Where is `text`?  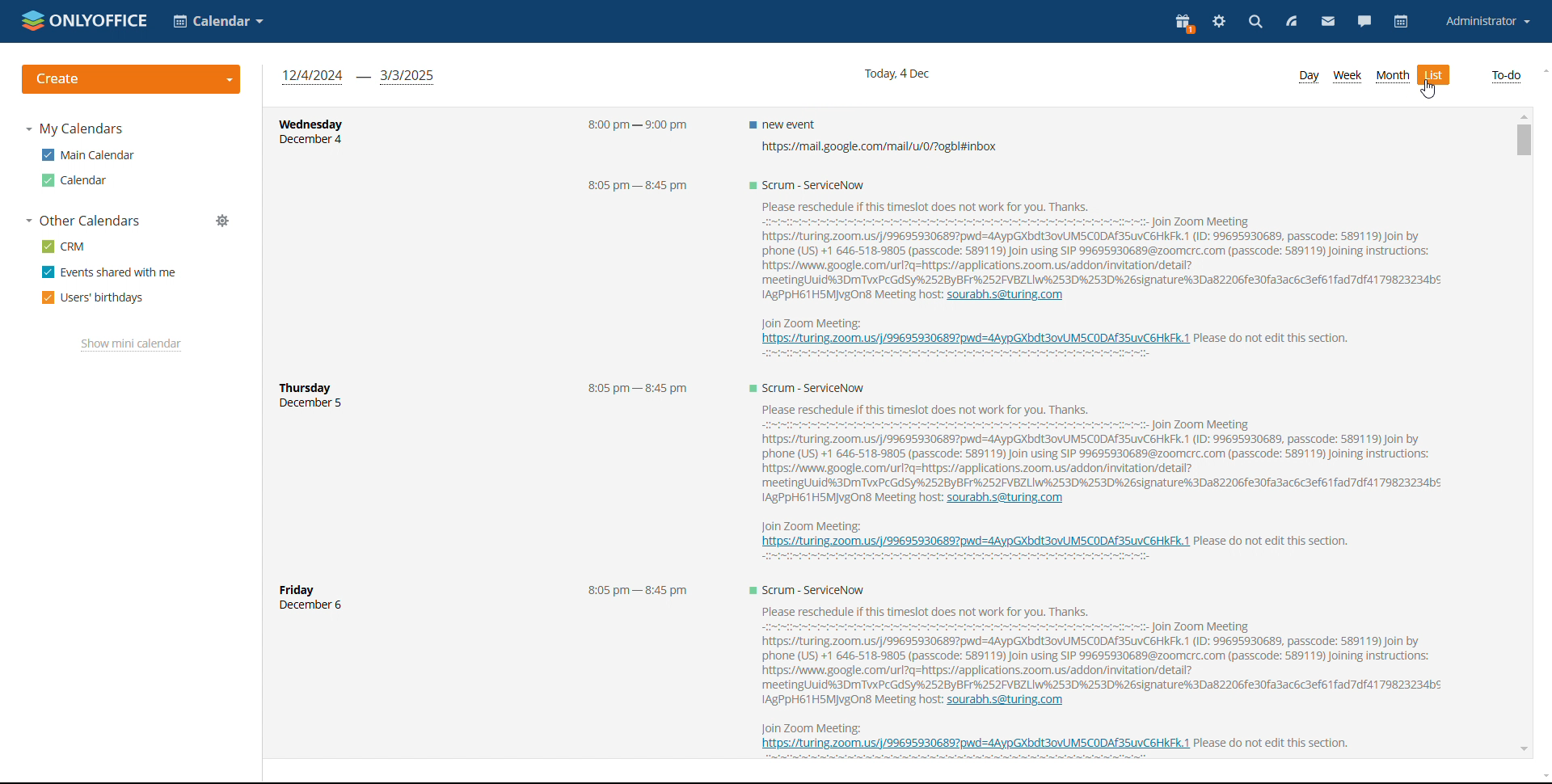 text is located at coordinates (956, 356).